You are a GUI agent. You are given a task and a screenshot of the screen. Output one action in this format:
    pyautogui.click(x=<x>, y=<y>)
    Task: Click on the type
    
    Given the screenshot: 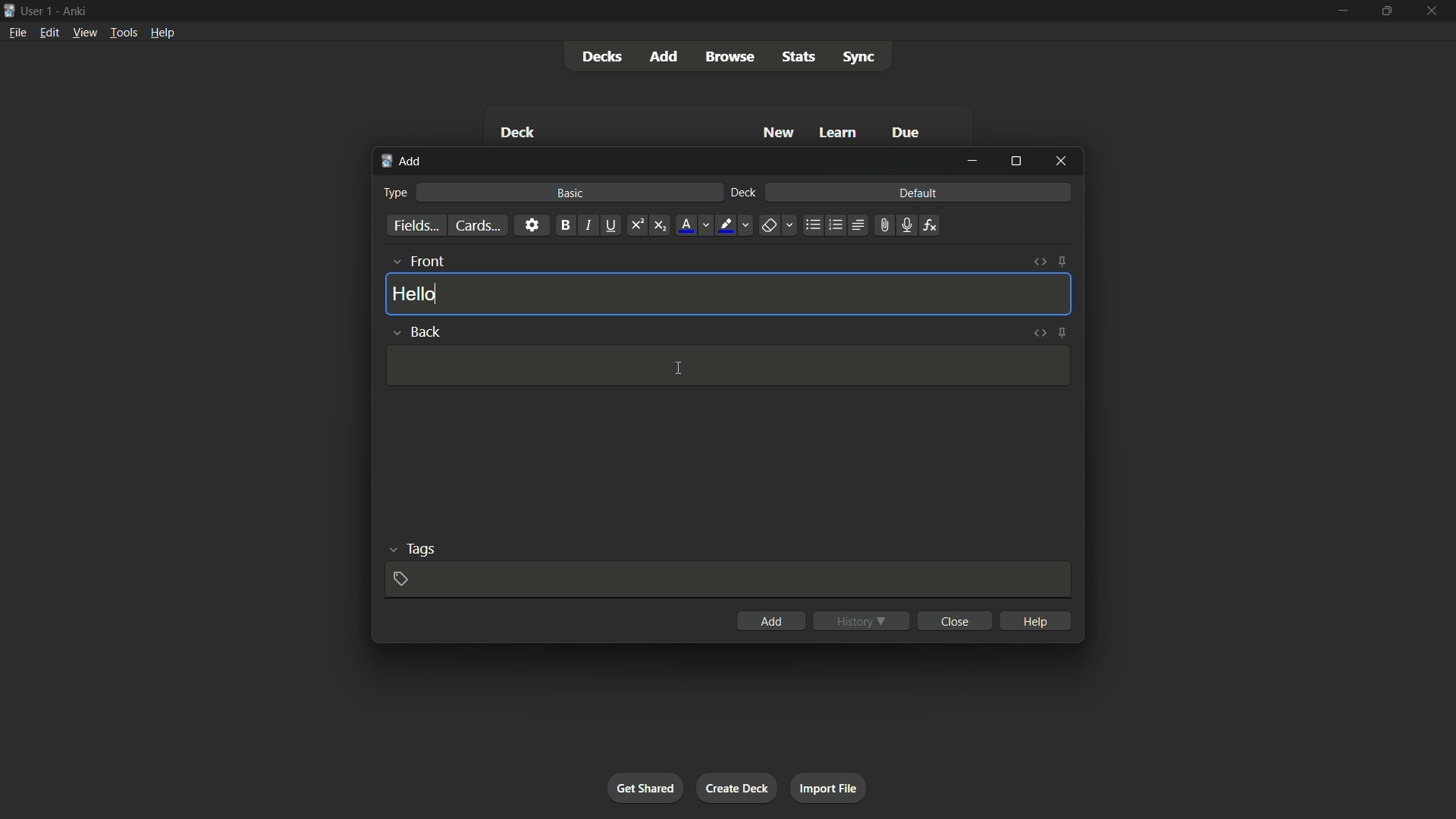 What is the action you would take?
    pyautogui.click(x=396, y=193)
    